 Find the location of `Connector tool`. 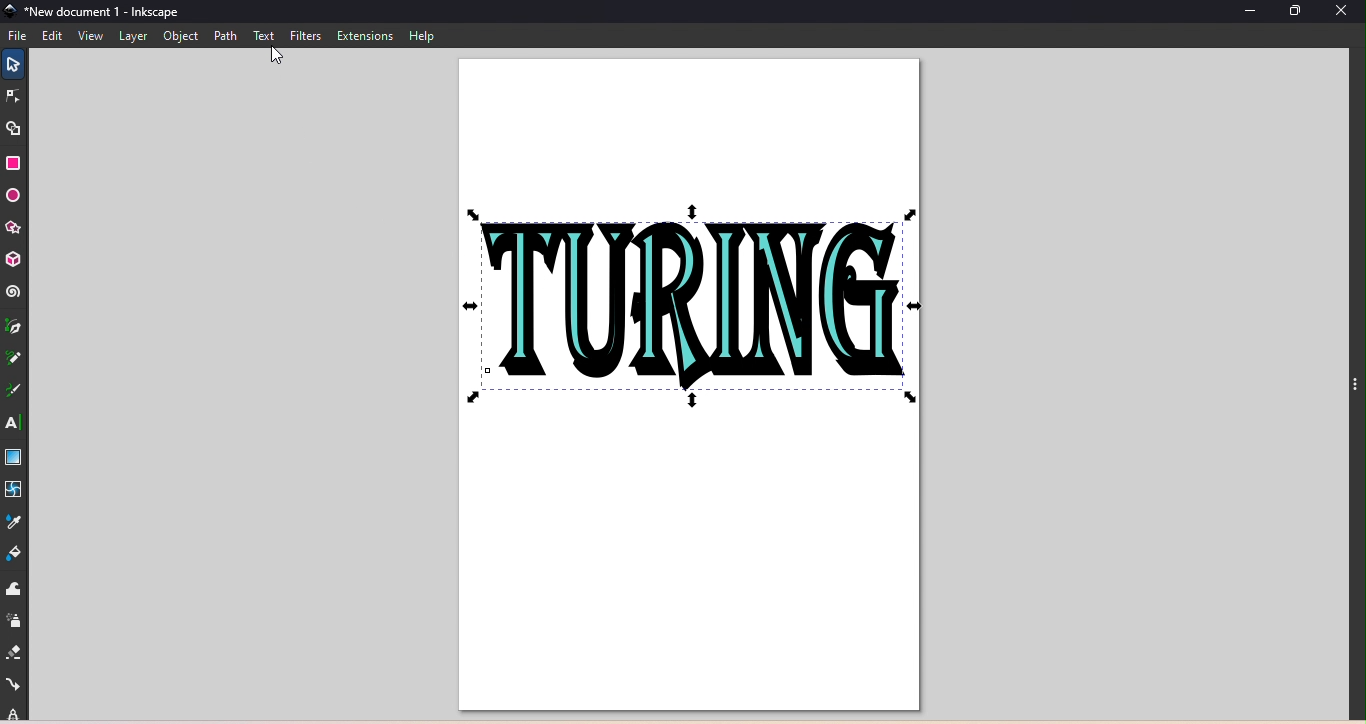

Connector tool is located at coordinates (15, 685).